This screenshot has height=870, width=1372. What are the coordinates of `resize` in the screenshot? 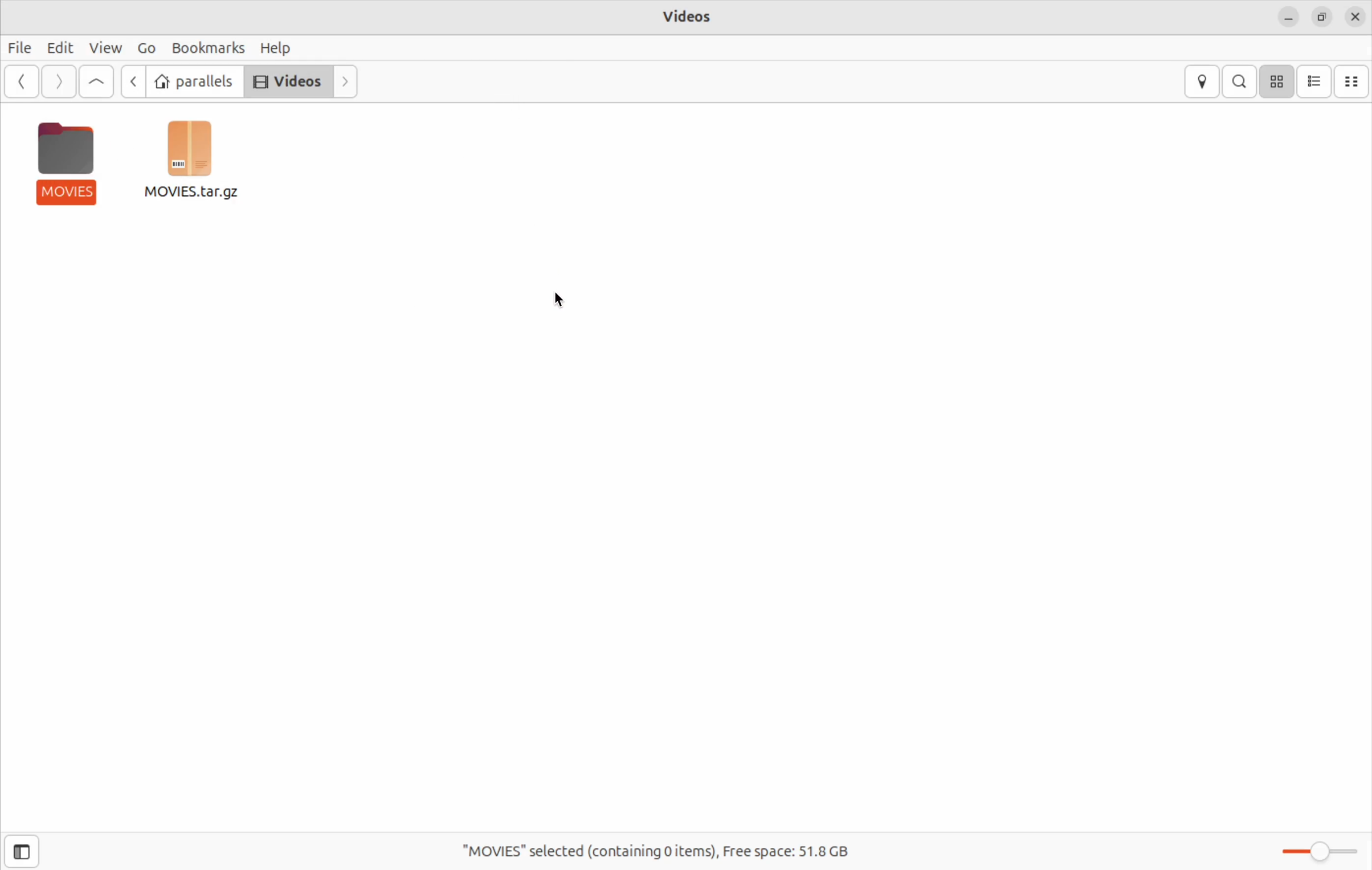 It's located at (1321, 16).